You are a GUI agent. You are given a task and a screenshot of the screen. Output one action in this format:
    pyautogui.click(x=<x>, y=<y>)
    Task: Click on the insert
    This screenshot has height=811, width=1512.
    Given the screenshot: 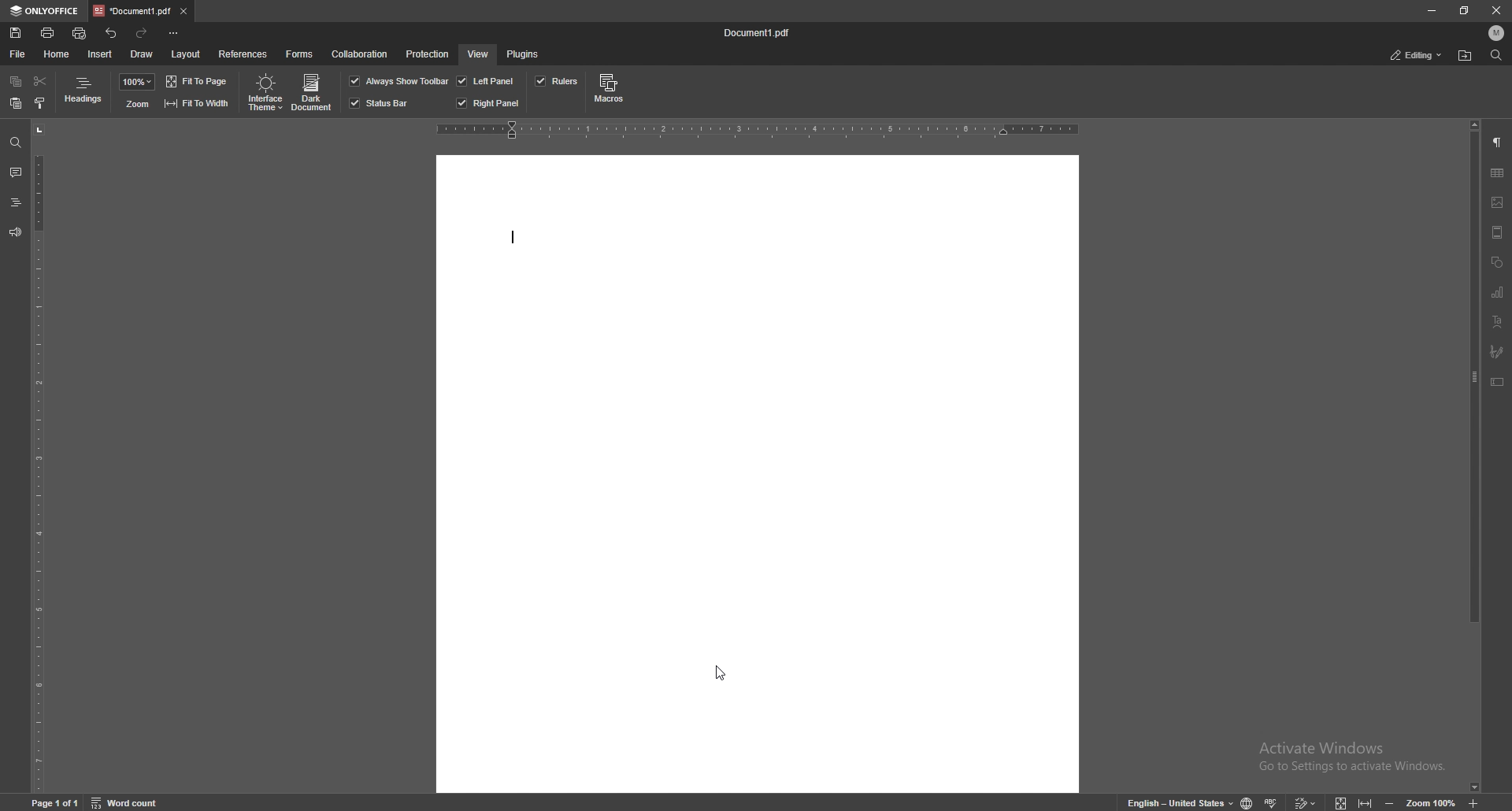 What is the action you would take?
    pyautogui.click(x=100, y=54)
    